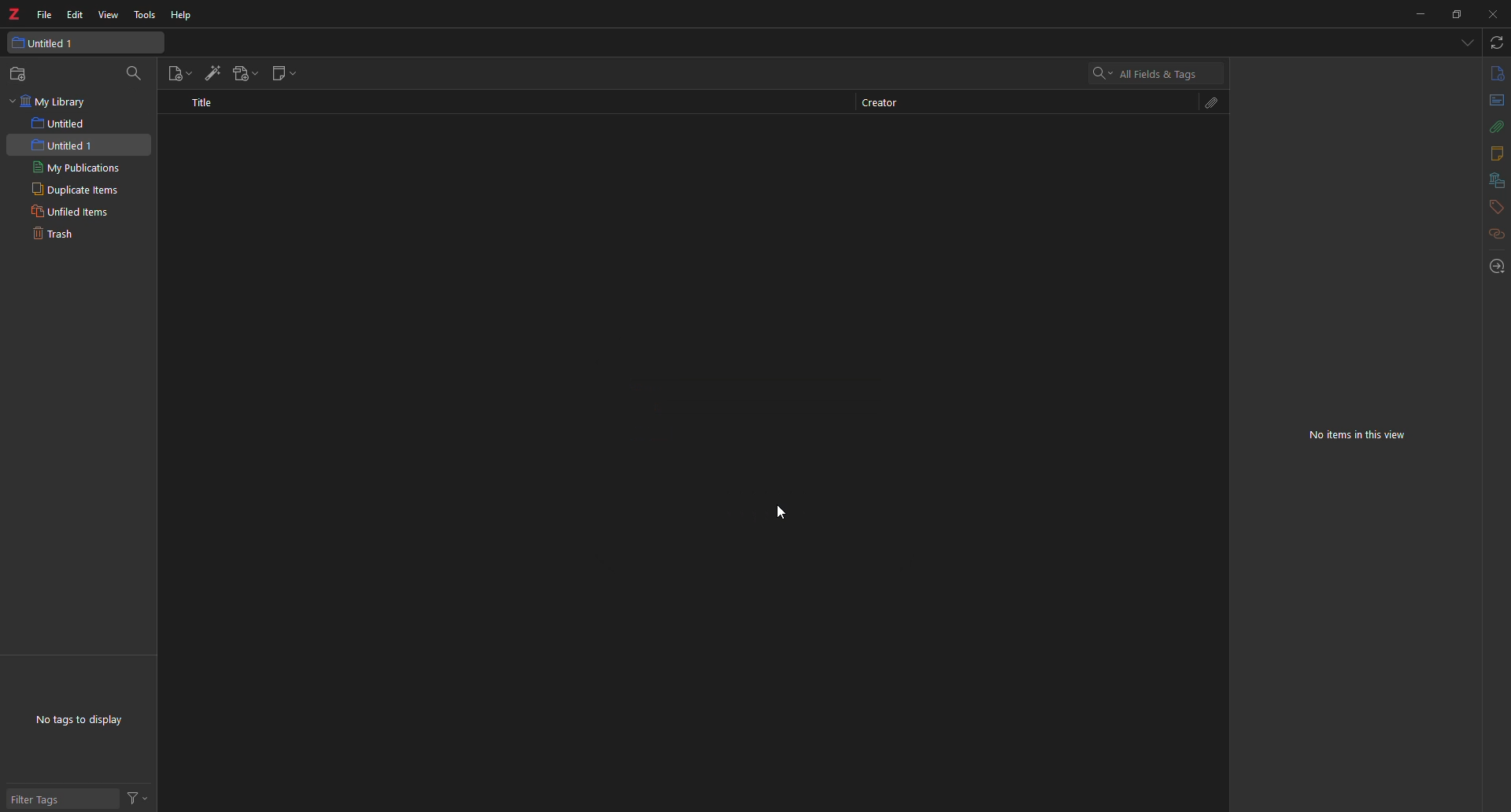 This screenshot has height=812, width=1511. Describe the element at coordinates (16, 13) in the screenshot. I see `z` at that location.